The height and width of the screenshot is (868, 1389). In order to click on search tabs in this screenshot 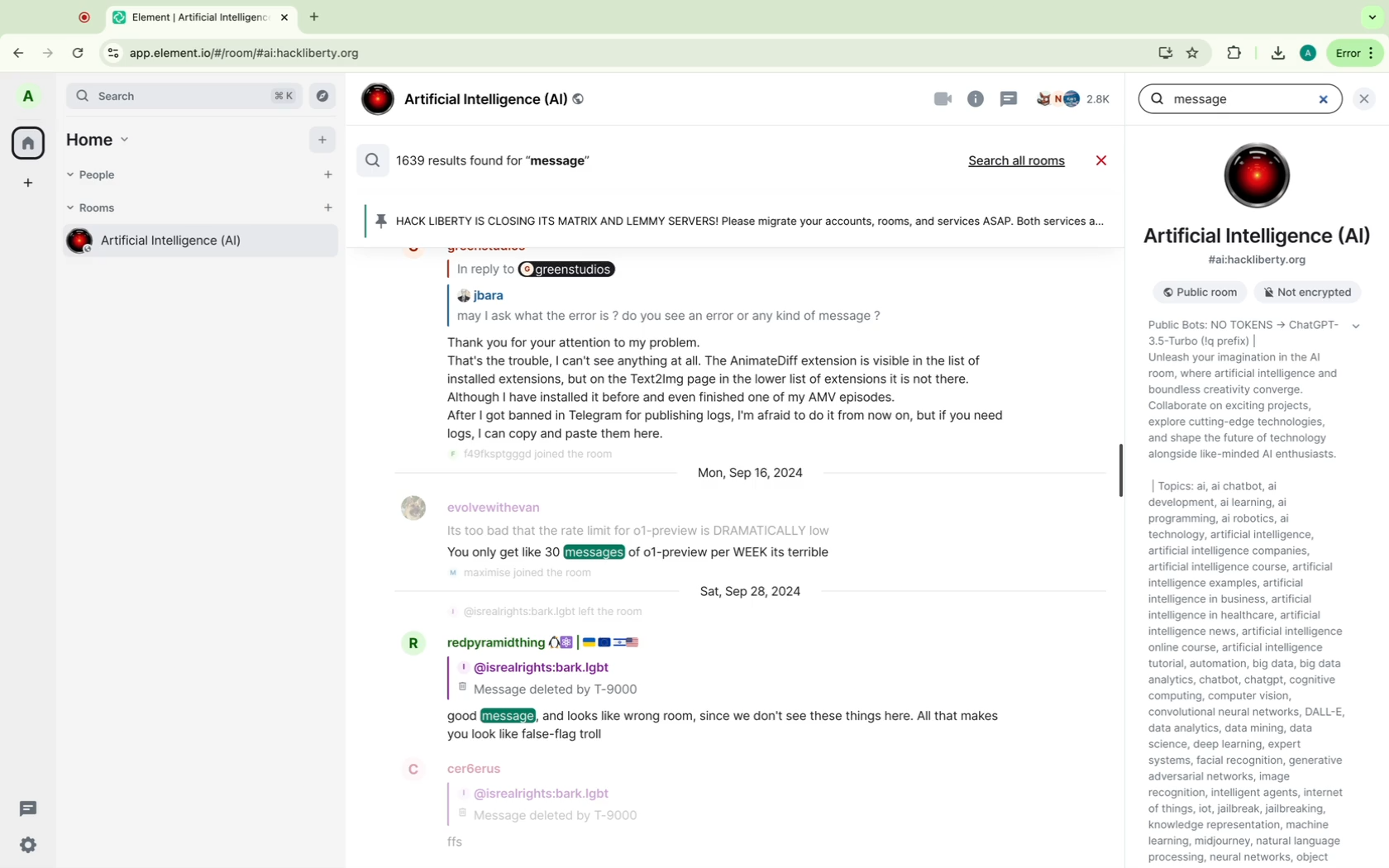, I will do `click(1372, 17)`.